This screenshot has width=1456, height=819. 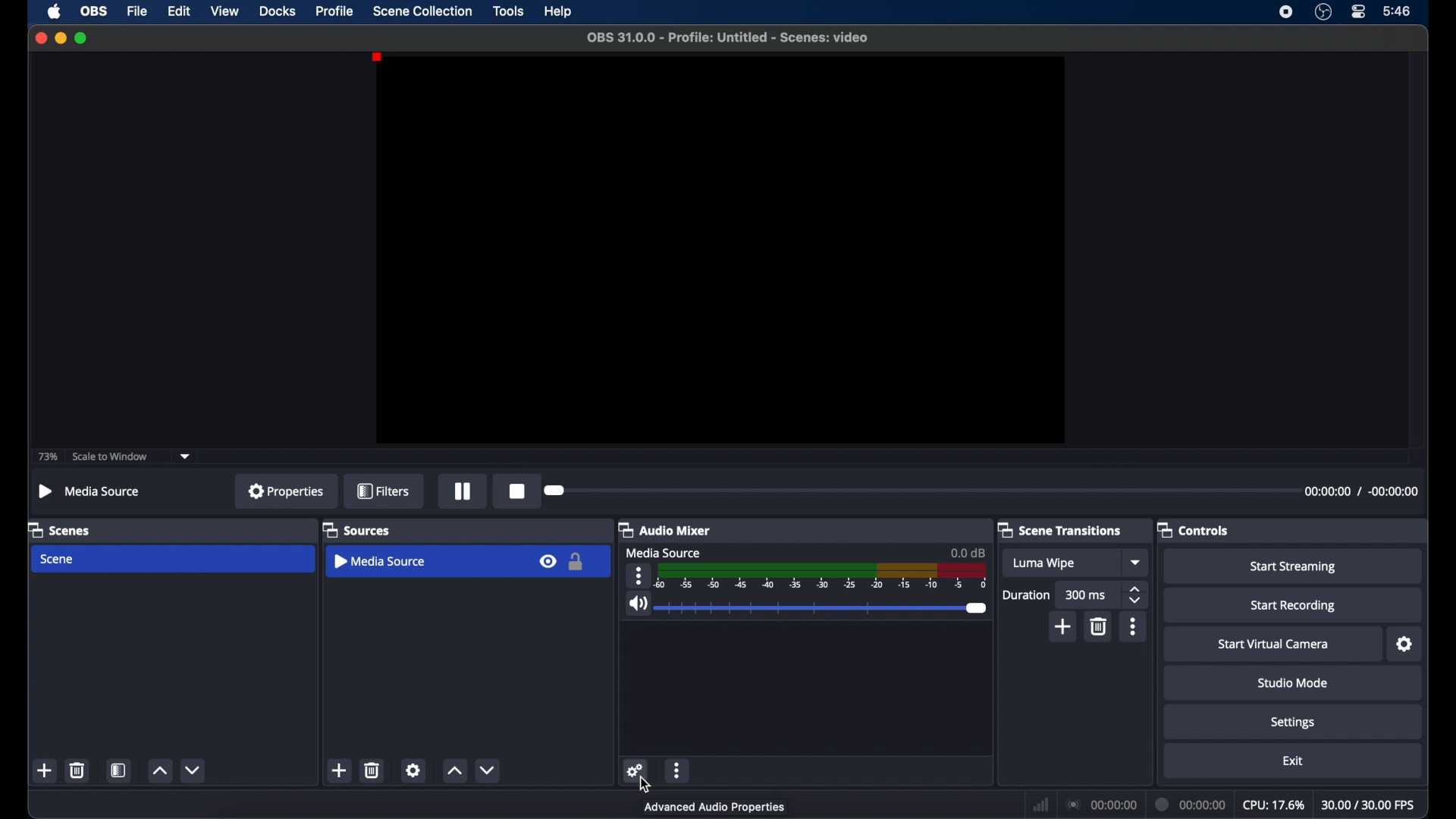 What do you see at coordinates (635, 767) in the screenshot?
I see `settings` at bounding box center [635, 767].